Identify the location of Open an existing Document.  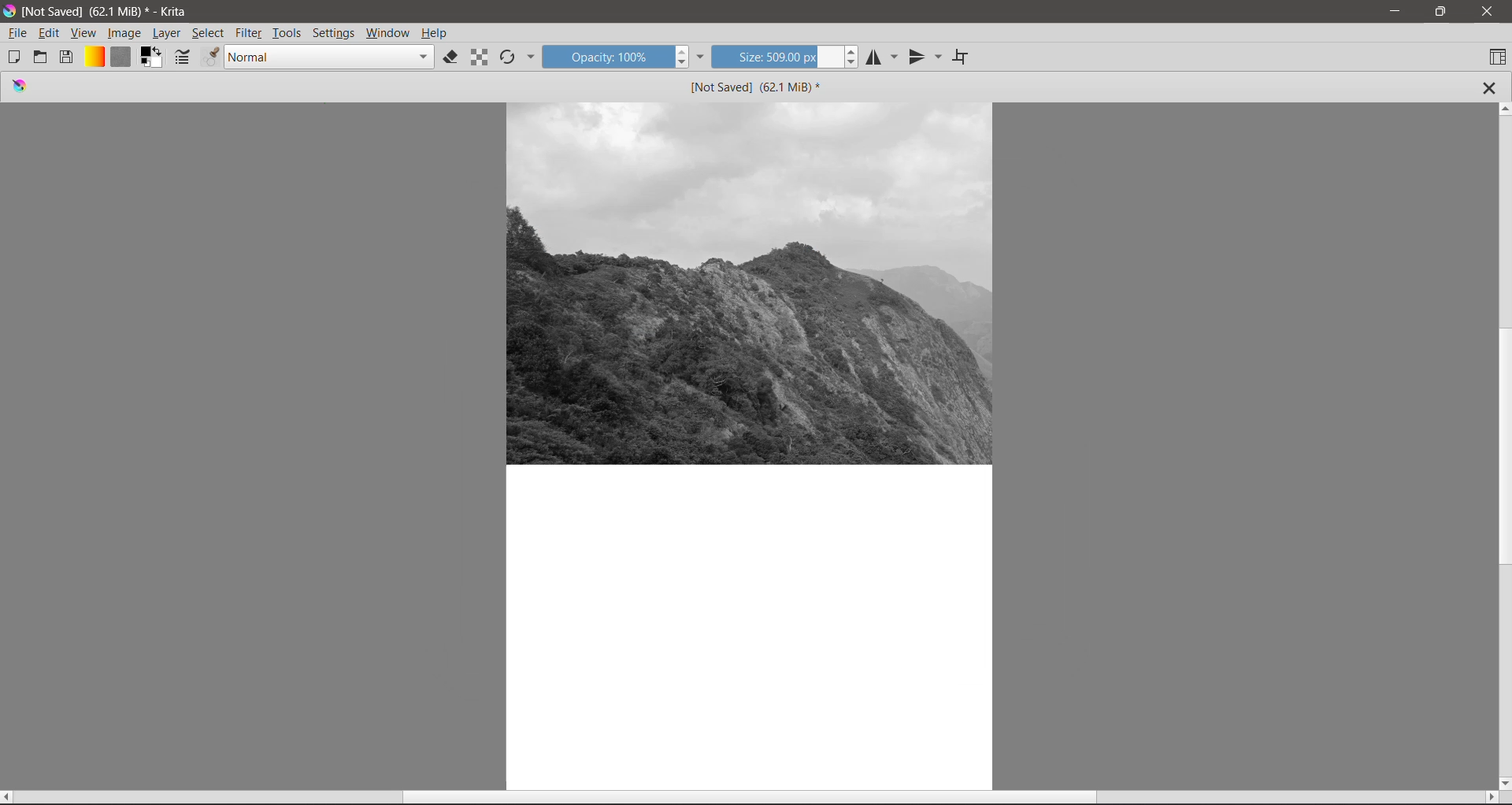
(41, 58).